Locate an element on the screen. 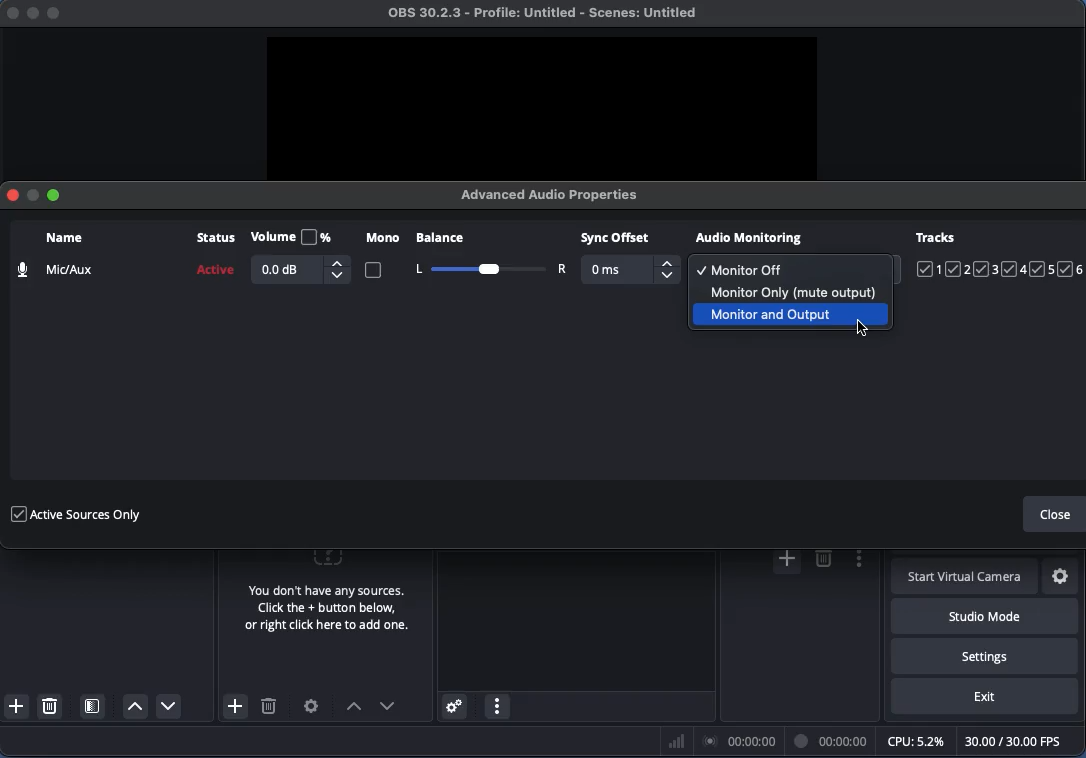  add is located at coordinates (785, 561).